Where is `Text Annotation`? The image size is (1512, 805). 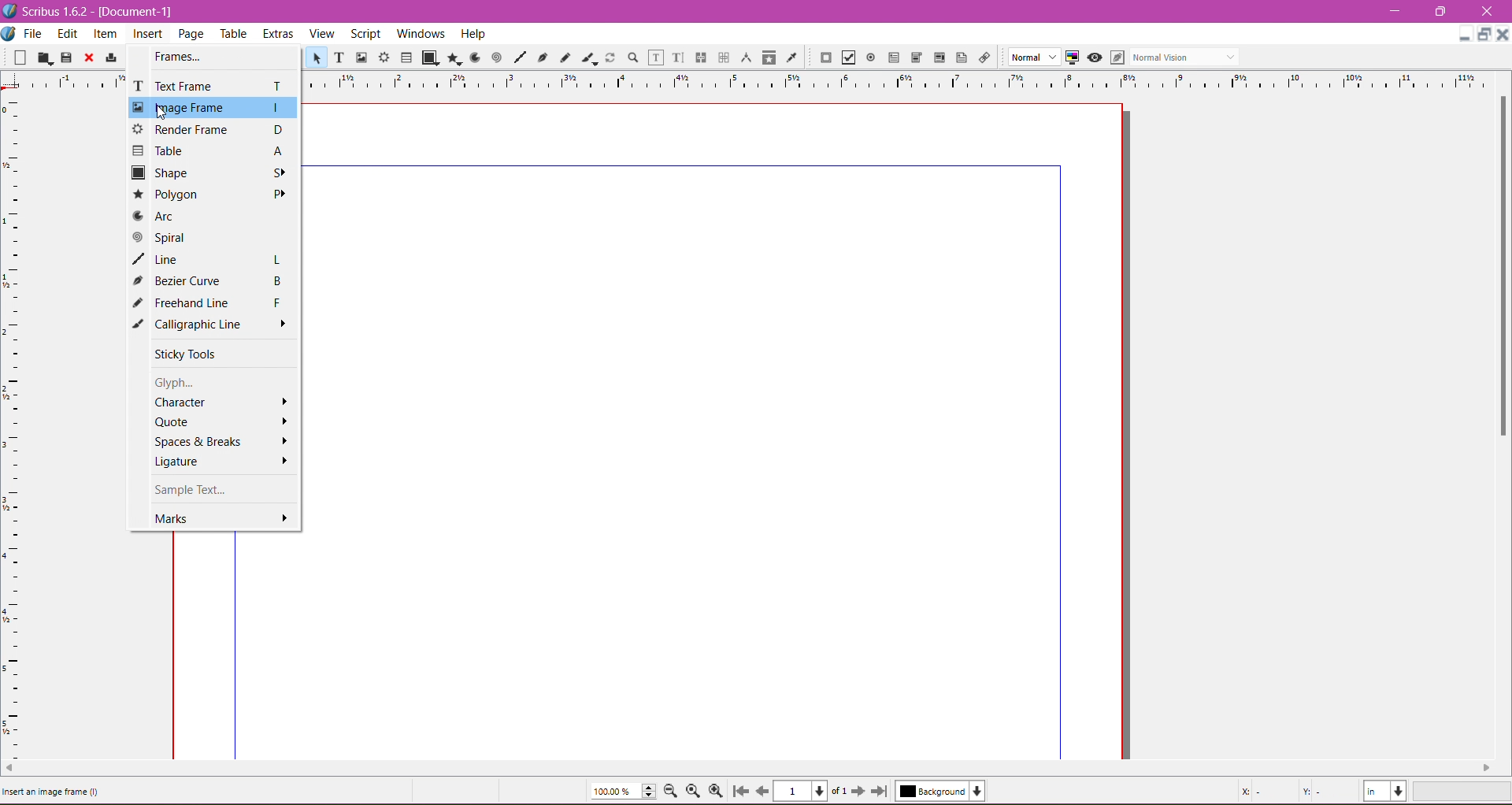 Text Annotation is located at coordinates (962, 57).